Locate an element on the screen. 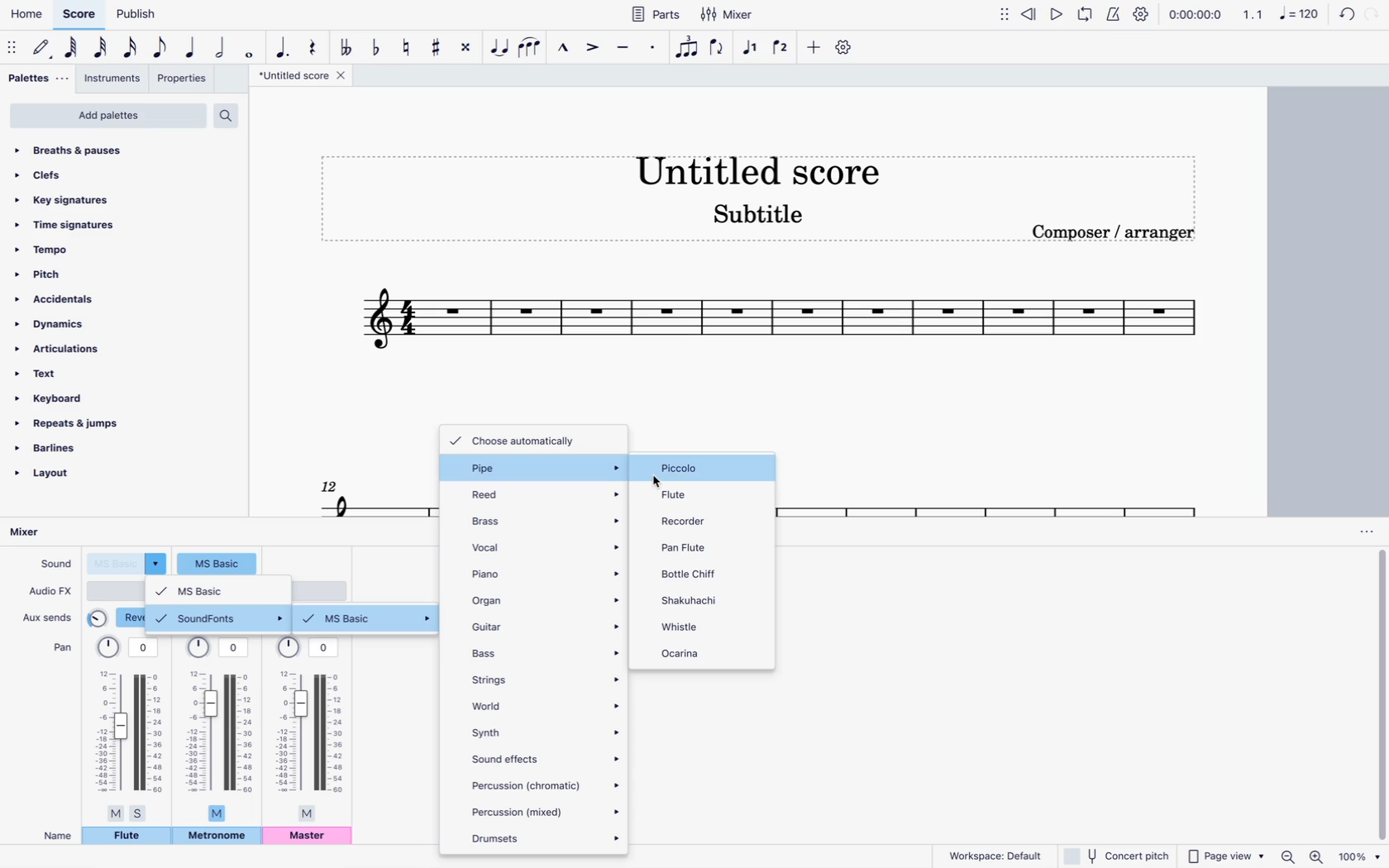  settings is located at coordinates (1142, 14).